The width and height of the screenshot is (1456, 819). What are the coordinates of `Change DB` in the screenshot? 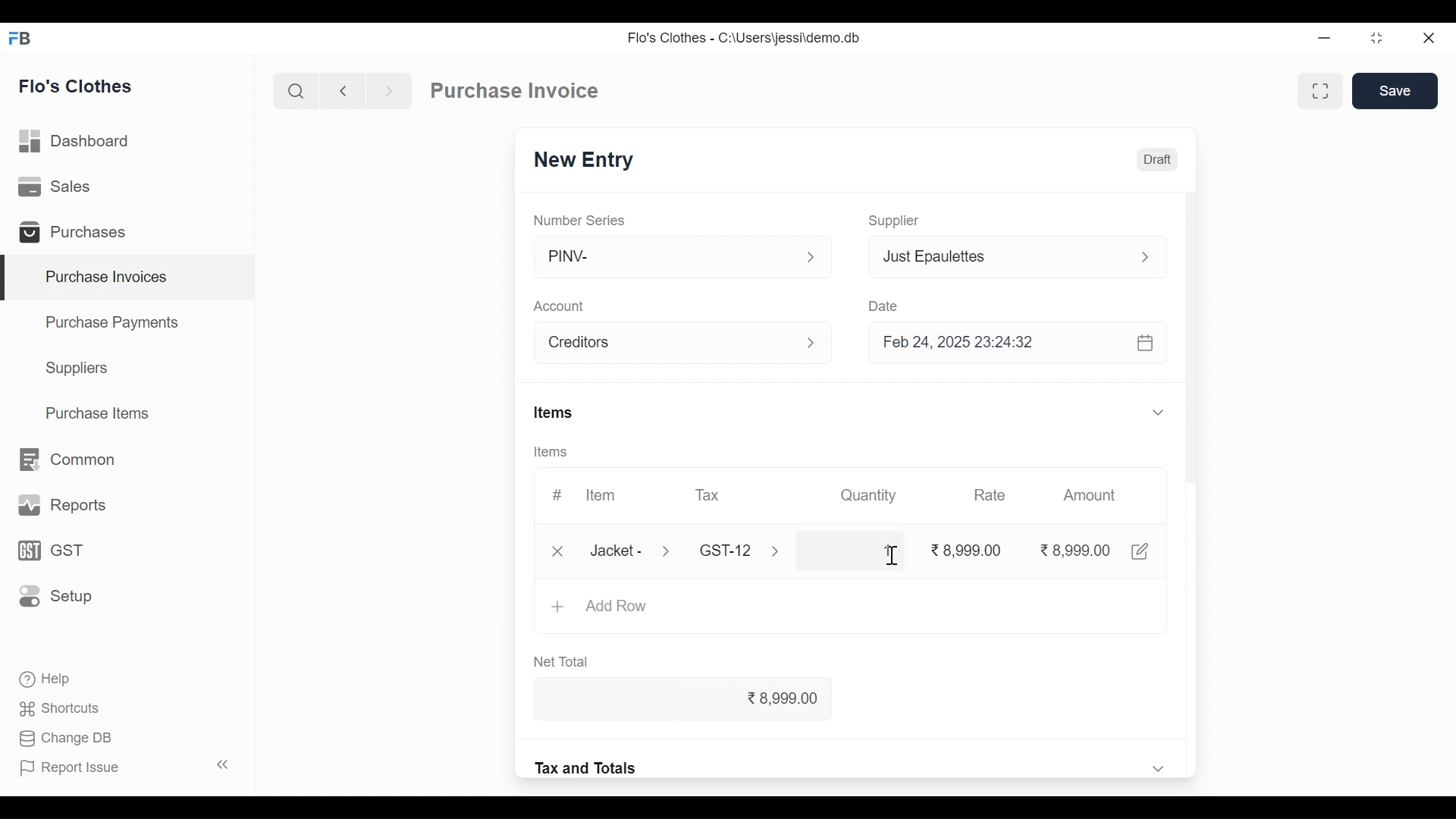 It's located at (67, 738).